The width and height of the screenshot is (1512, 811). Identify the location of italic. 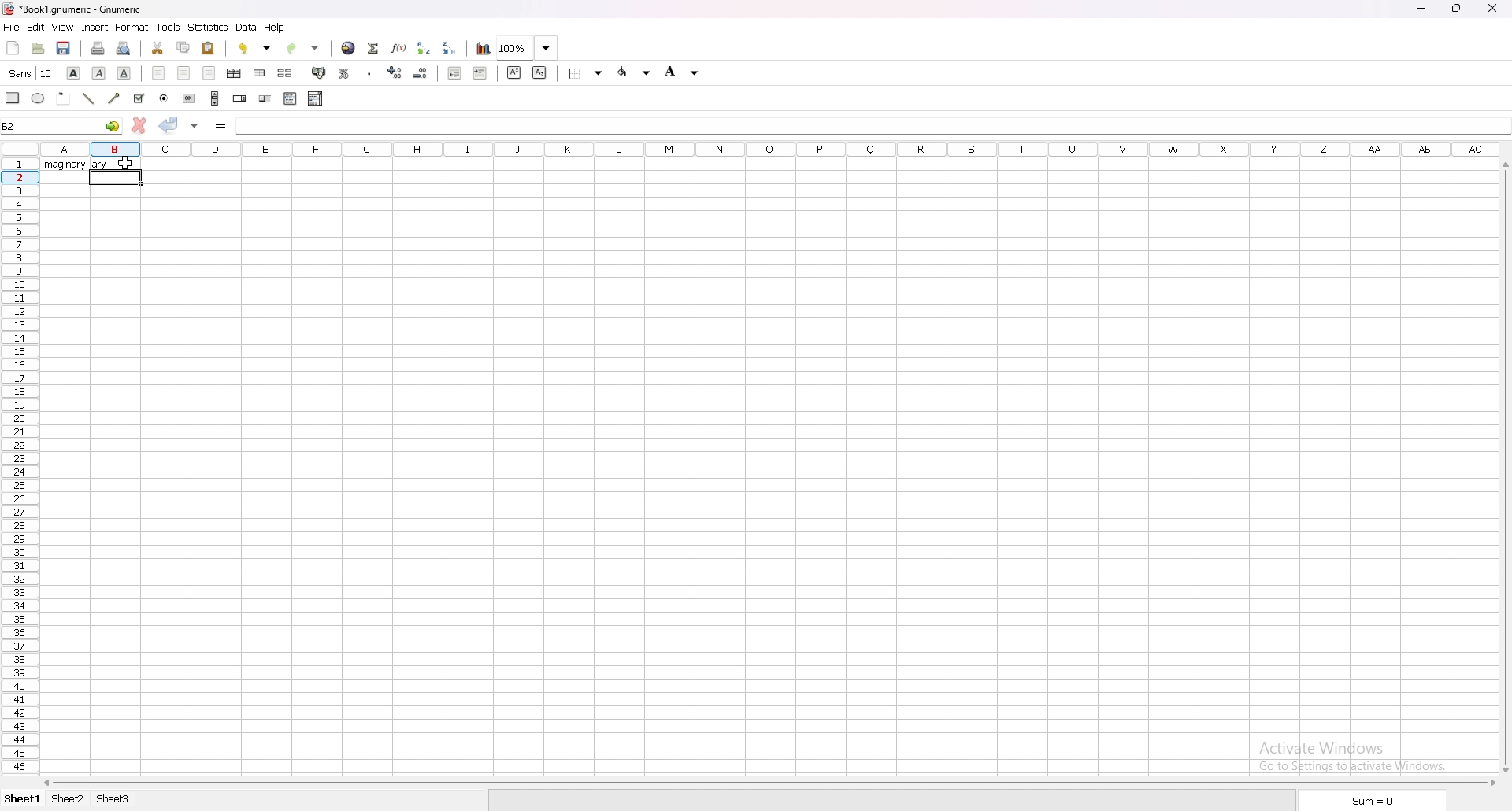
(99, 72).